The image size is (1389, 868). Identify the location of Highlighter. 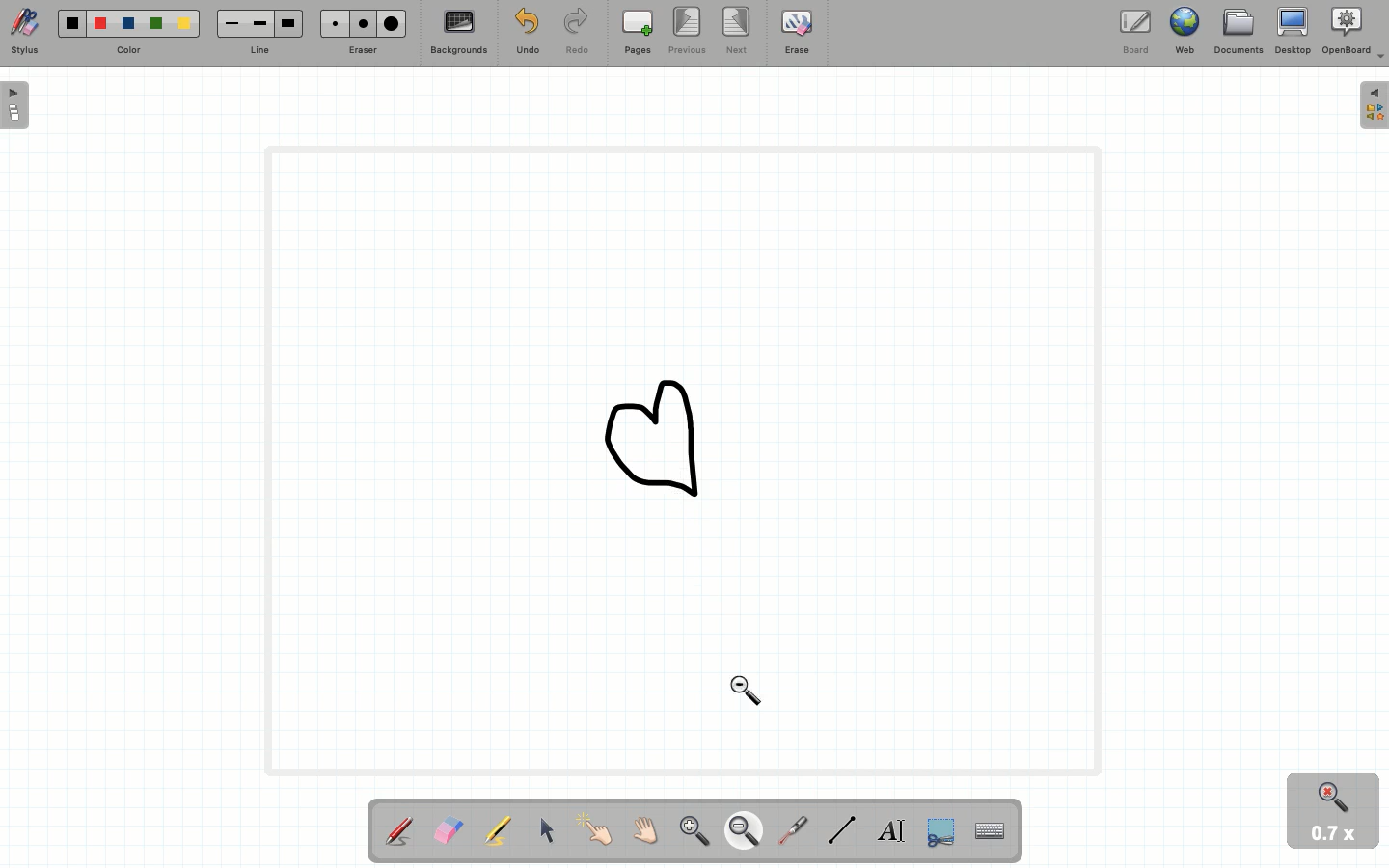
(498, 832).